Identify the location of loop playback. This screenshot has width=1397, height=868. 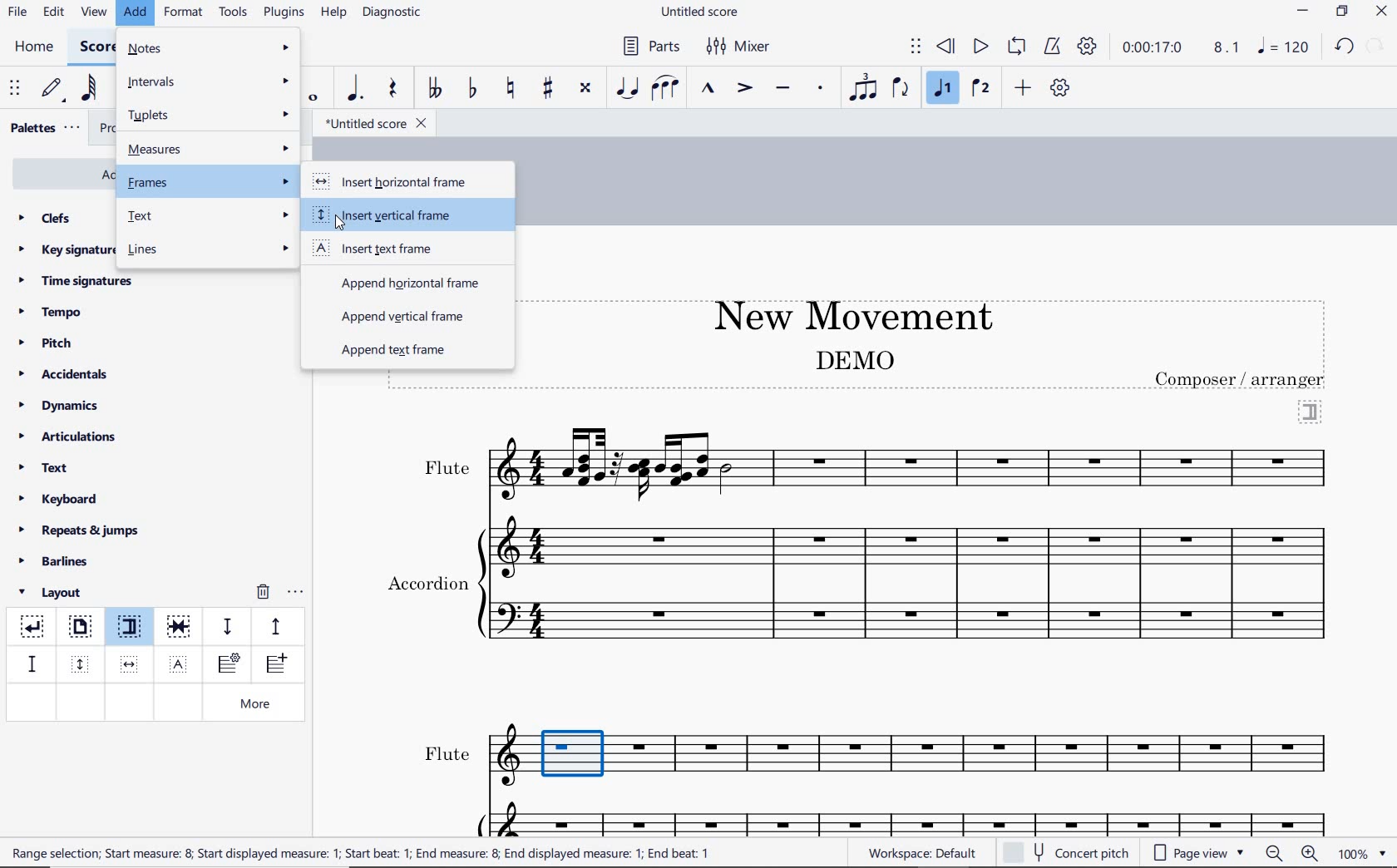
(1019, 47).